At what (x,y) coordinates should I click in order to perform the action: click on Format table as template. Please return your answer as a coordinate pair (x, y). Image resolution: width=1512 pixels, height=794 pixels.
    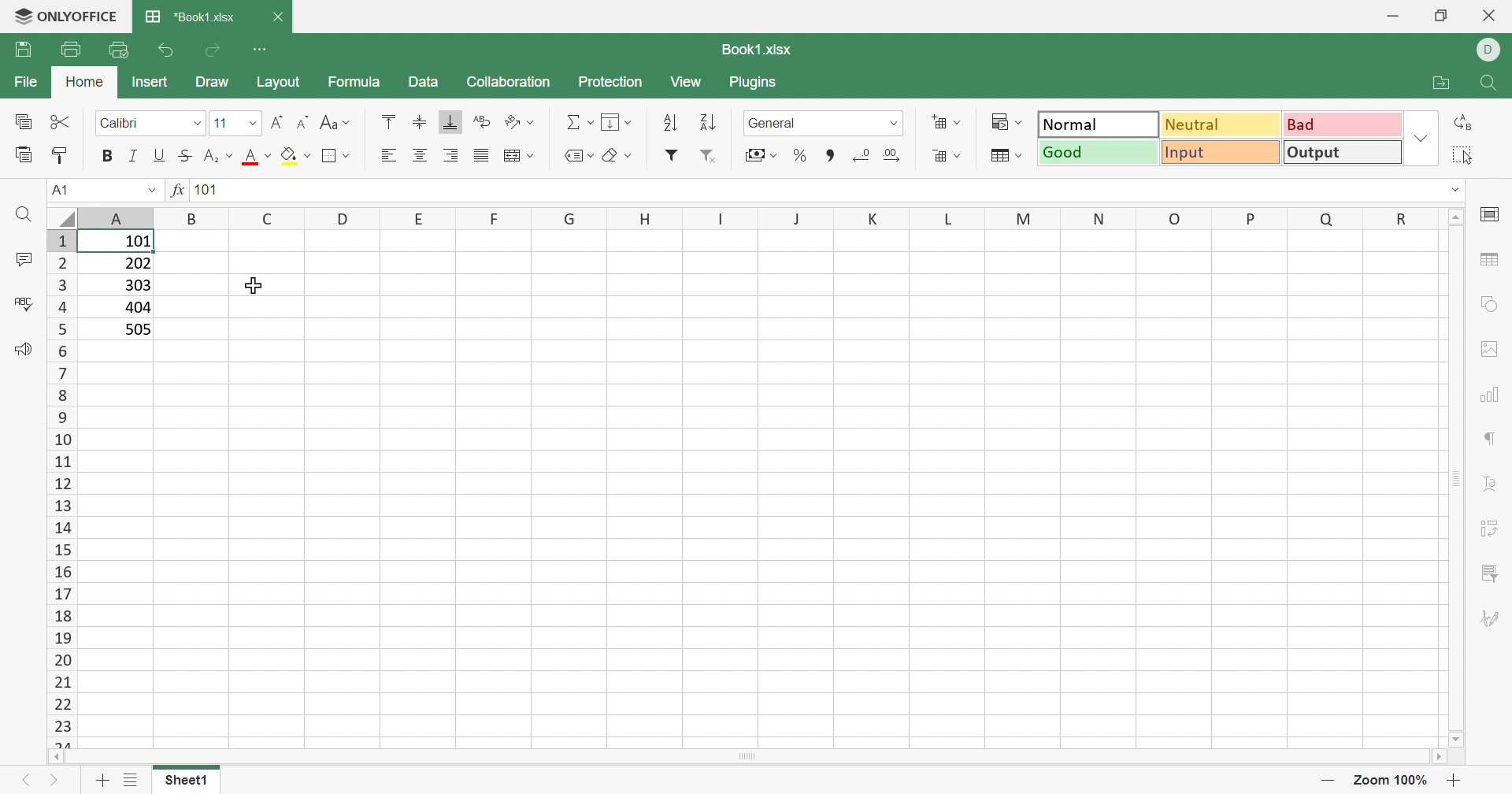
    Looking at the image, I should click on (1007, 160).